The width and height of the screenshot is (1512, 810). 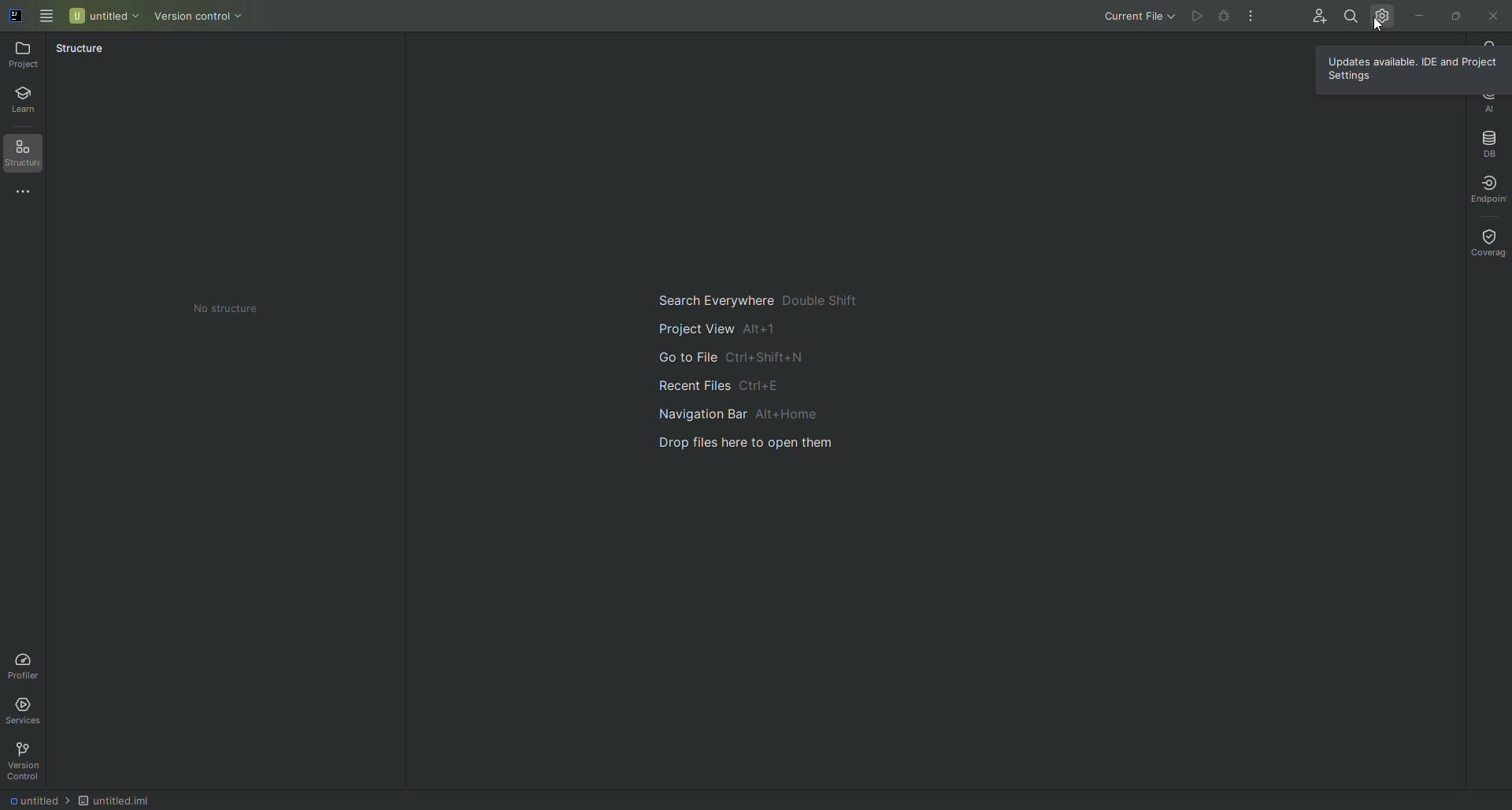 What do you see at coordinates (18, 13) in the screenshot?
I see `` at bounding box center [18, 13].